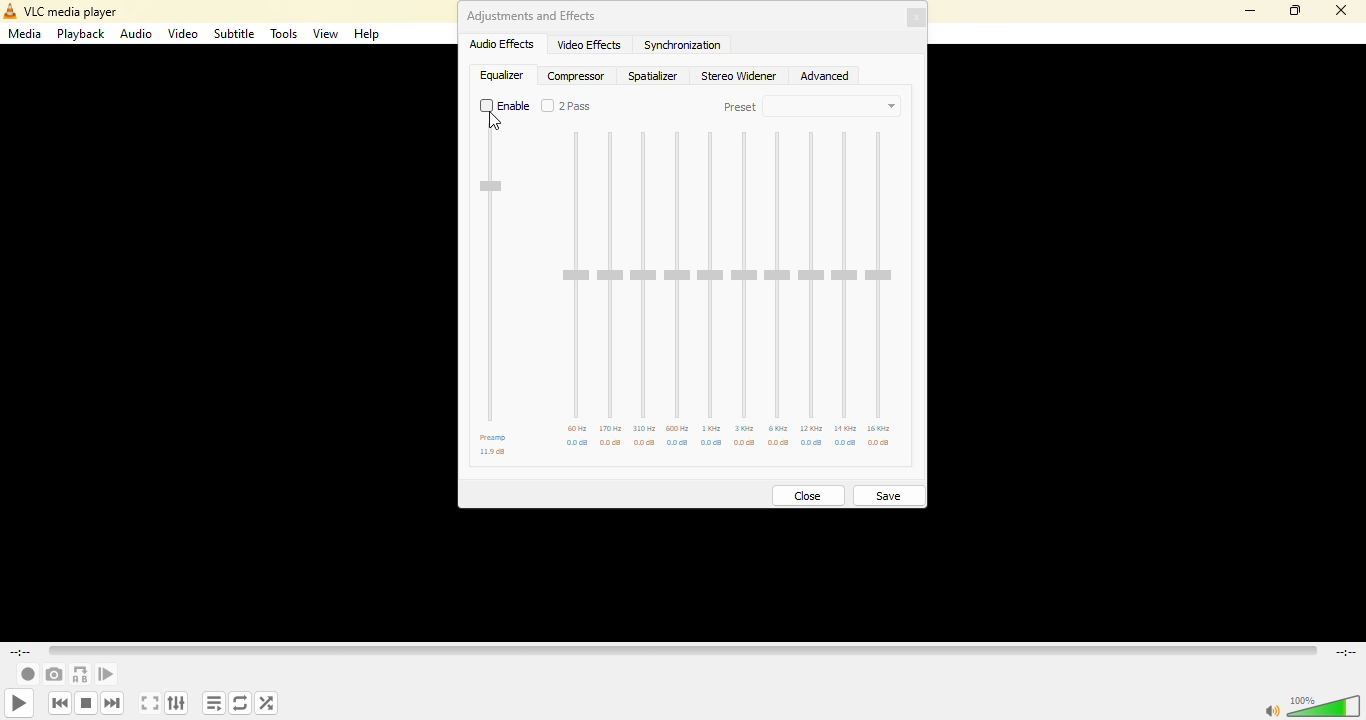 This screenshot has width=1366, height=720. What do you see at coordinates (492, 453) in the screenshot?
I see `db` at bounding box center [492, 453].